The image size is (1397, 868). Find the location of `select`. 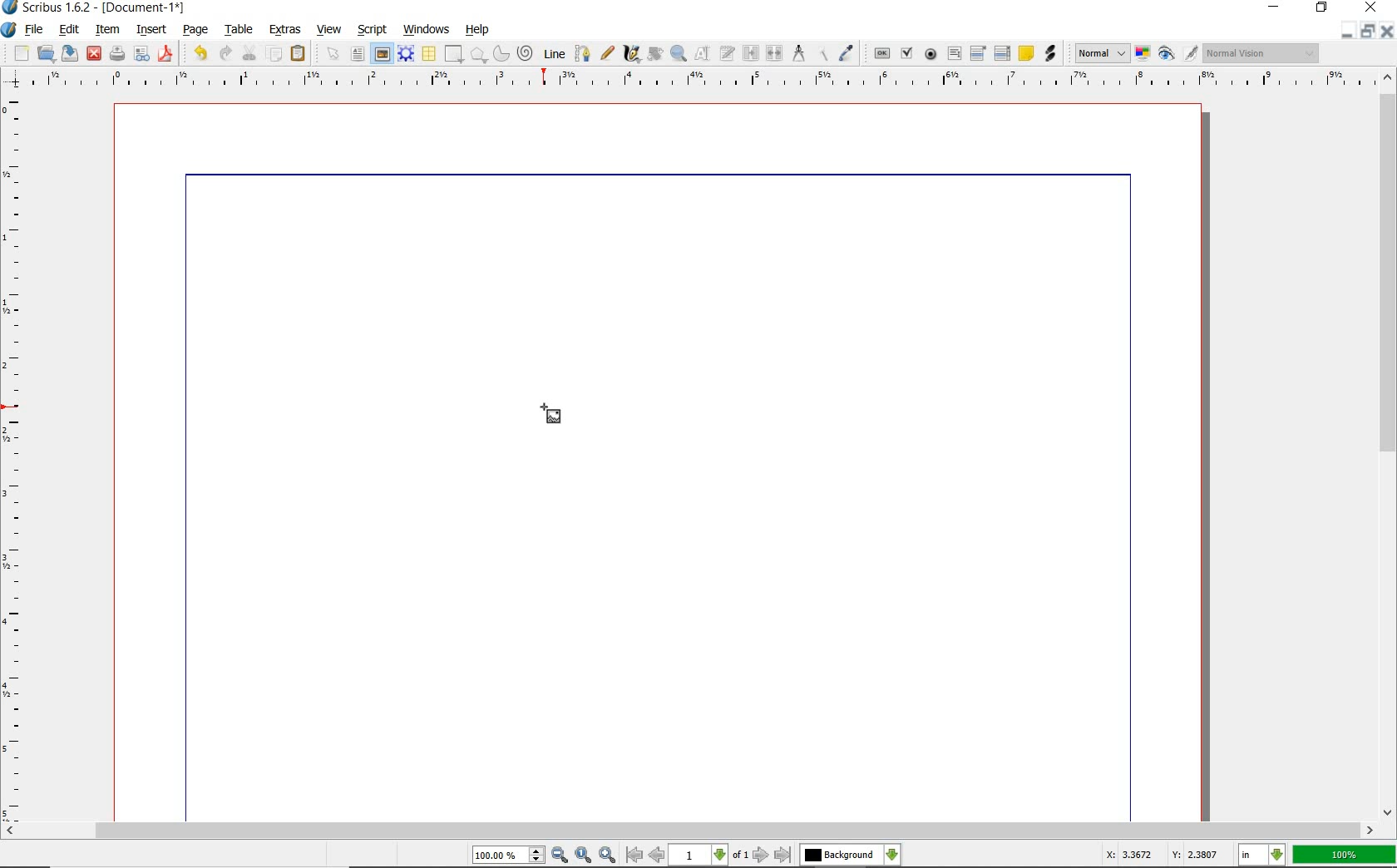

select is located at coordinates (333, 54).